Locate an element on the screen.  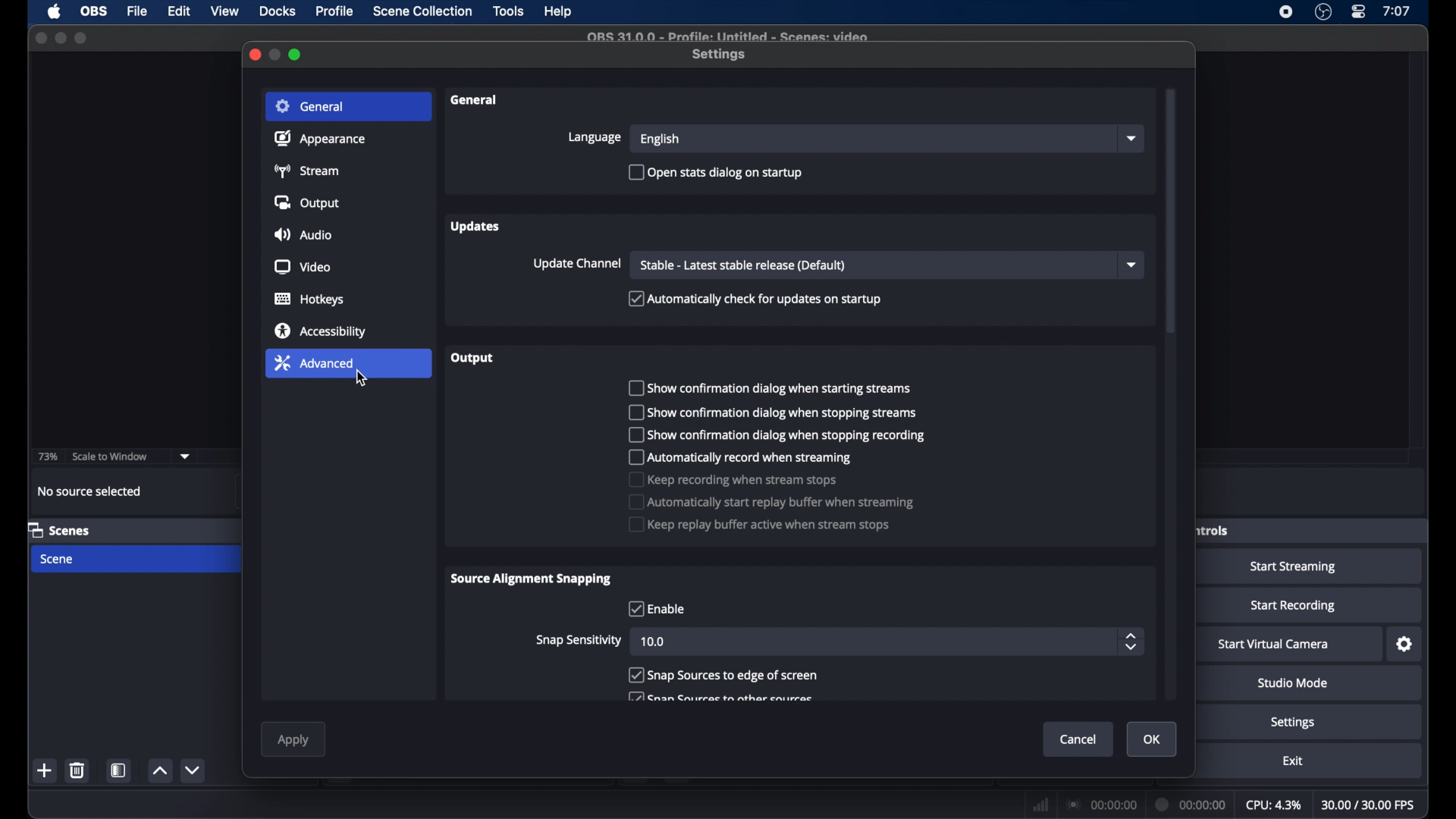
maximize is located at coordinates (81, 38).